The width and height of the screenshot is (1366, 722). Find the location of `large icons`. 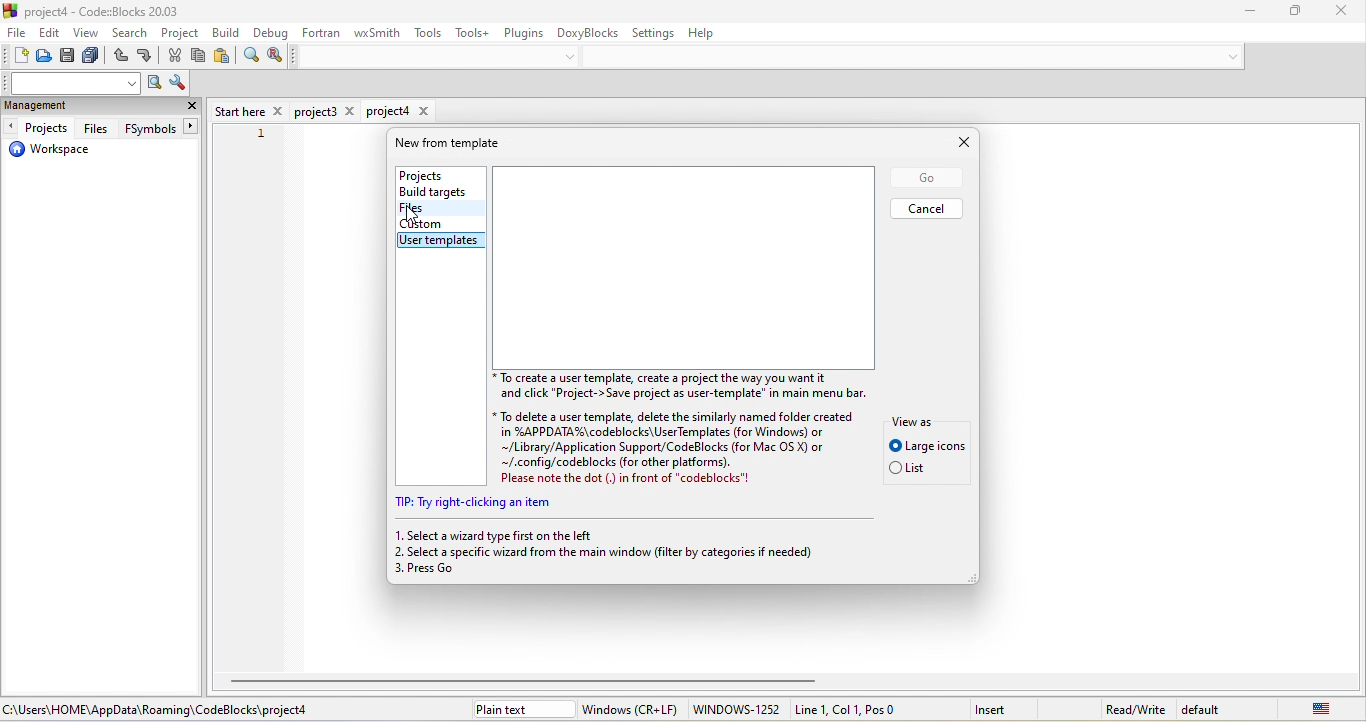

large icons is located at coordinates (927, 446).